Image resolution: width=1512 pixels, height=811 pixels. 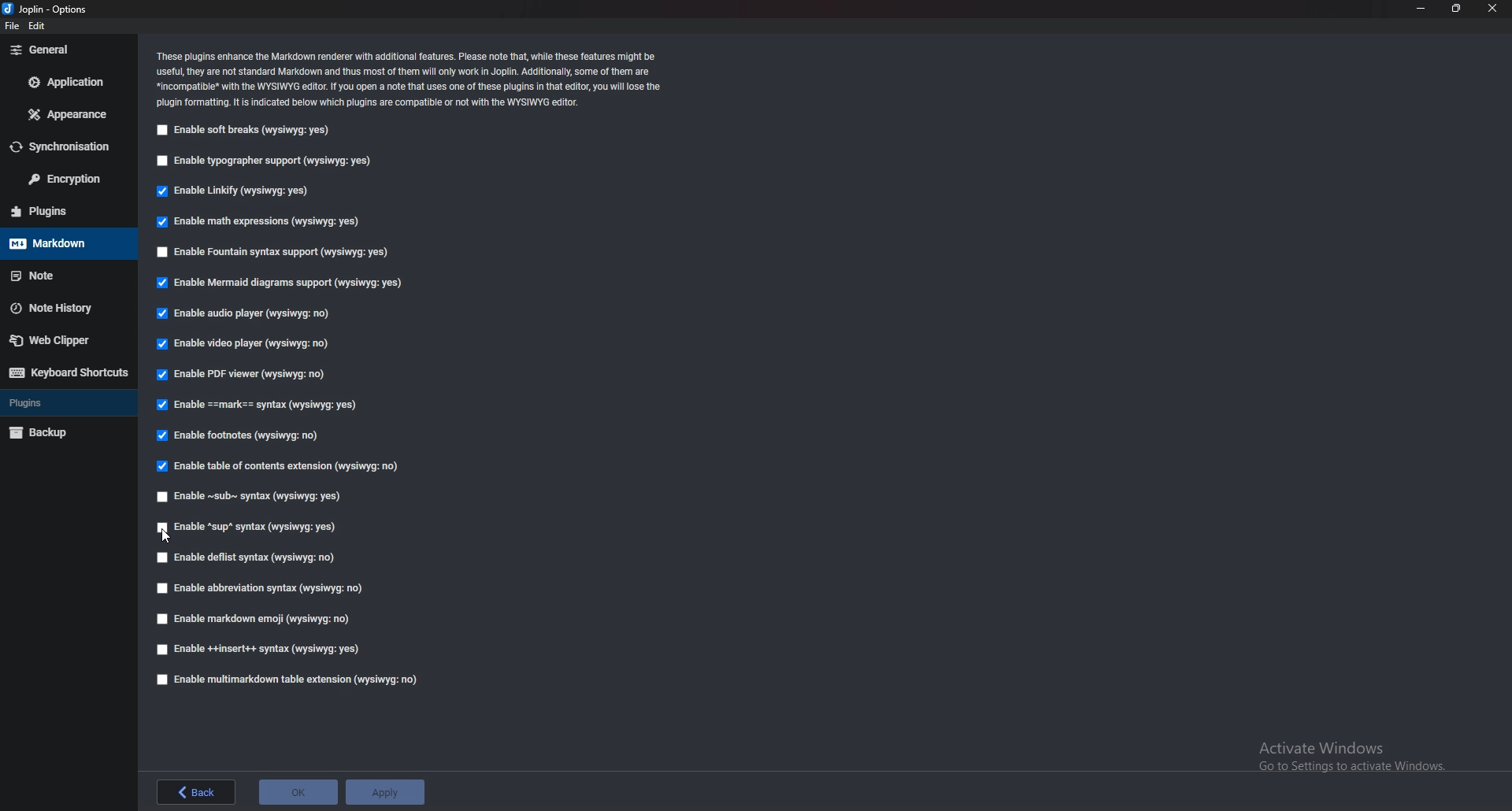 I want to click on Enable footnotes (wysiwyg: no), so click(x=244, y=434).